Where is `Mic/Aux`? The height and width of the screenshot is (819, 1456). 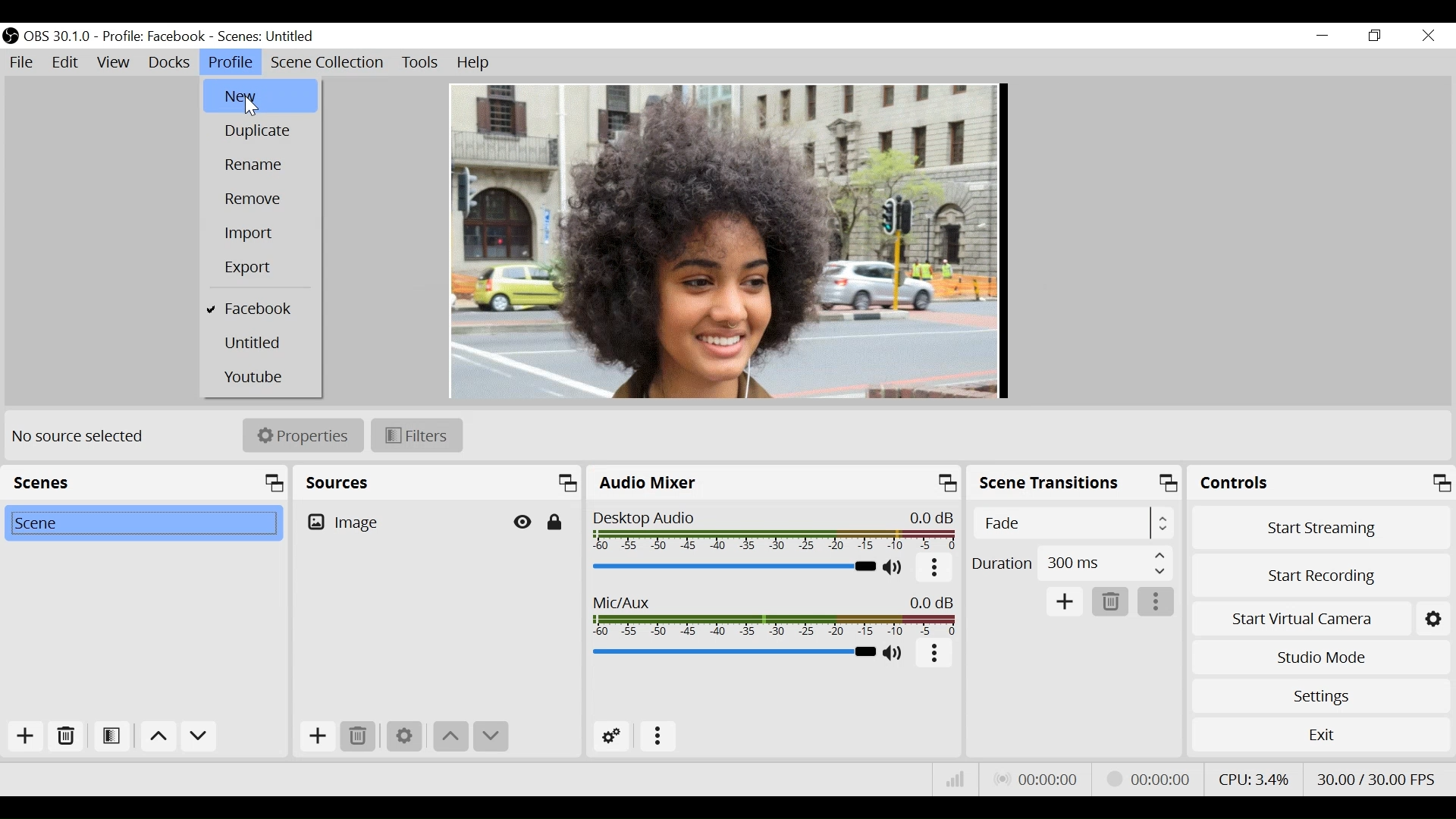 Mic/Aux is located at coordinates (776, 617).